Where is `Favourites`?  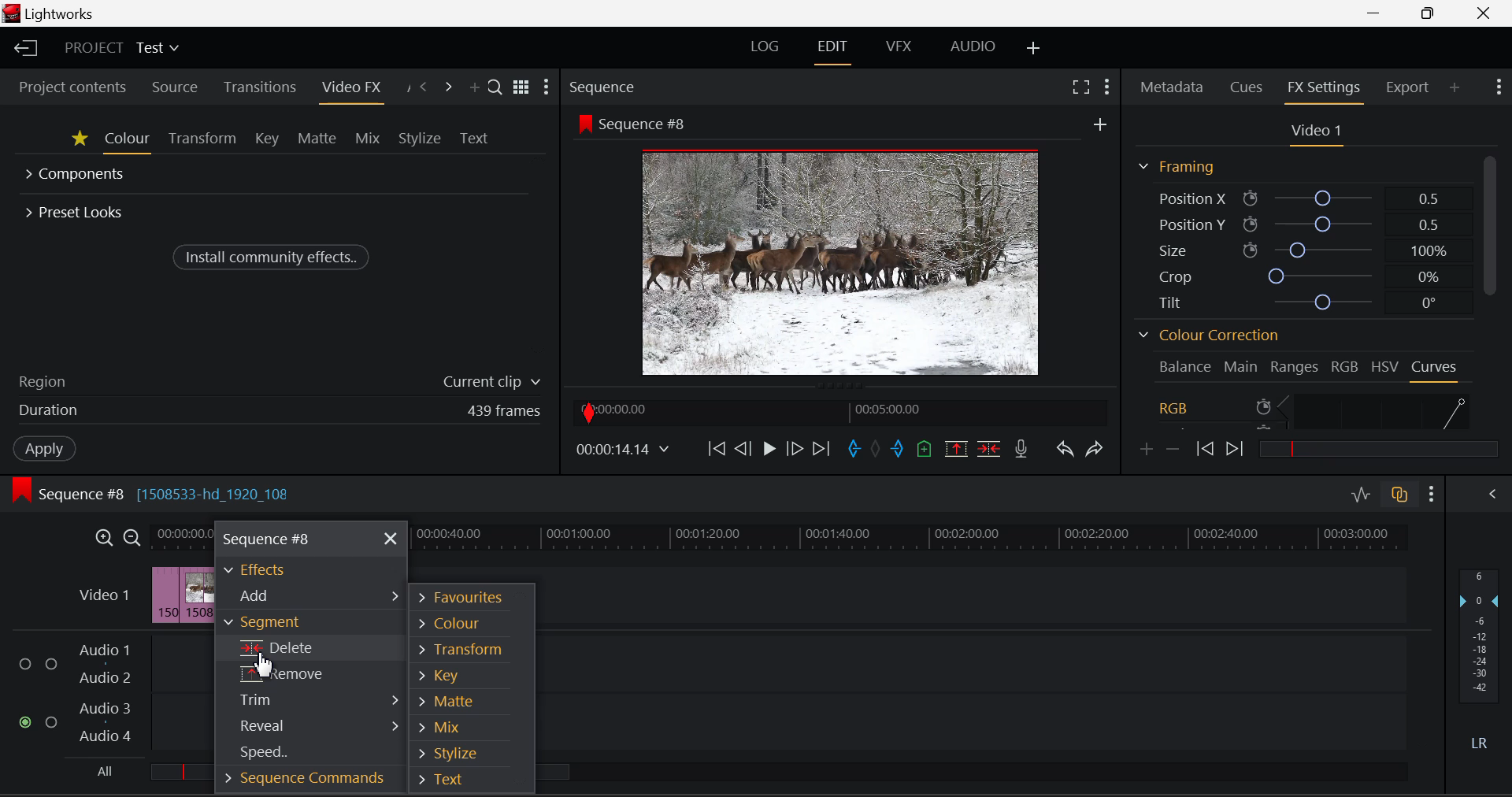
Favourites is located at coordinates (461, 599).